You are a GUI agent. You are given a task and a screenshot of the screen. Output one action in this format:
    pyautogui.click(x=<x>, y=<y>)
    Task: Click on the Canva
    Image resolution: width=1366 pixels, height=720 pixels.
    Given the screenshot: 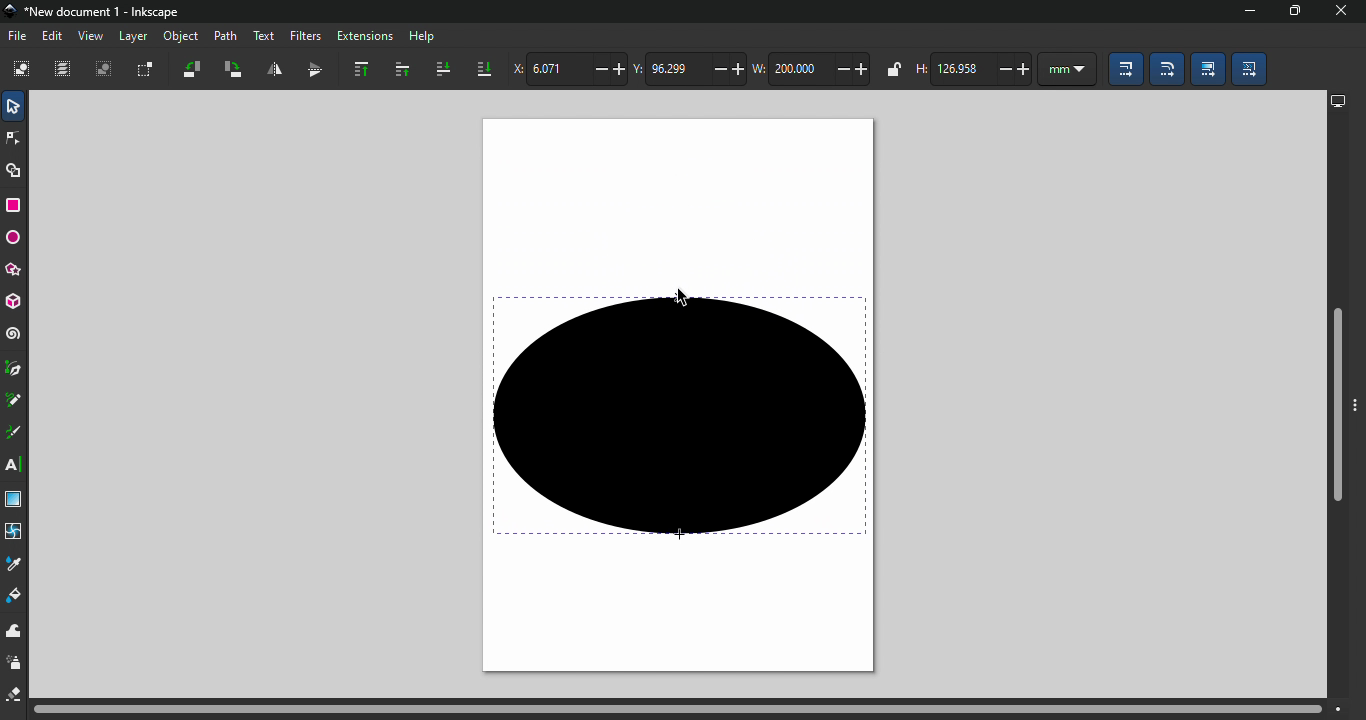 What is the action you would take?
    pyautogui.click(x=686, y=397)
    